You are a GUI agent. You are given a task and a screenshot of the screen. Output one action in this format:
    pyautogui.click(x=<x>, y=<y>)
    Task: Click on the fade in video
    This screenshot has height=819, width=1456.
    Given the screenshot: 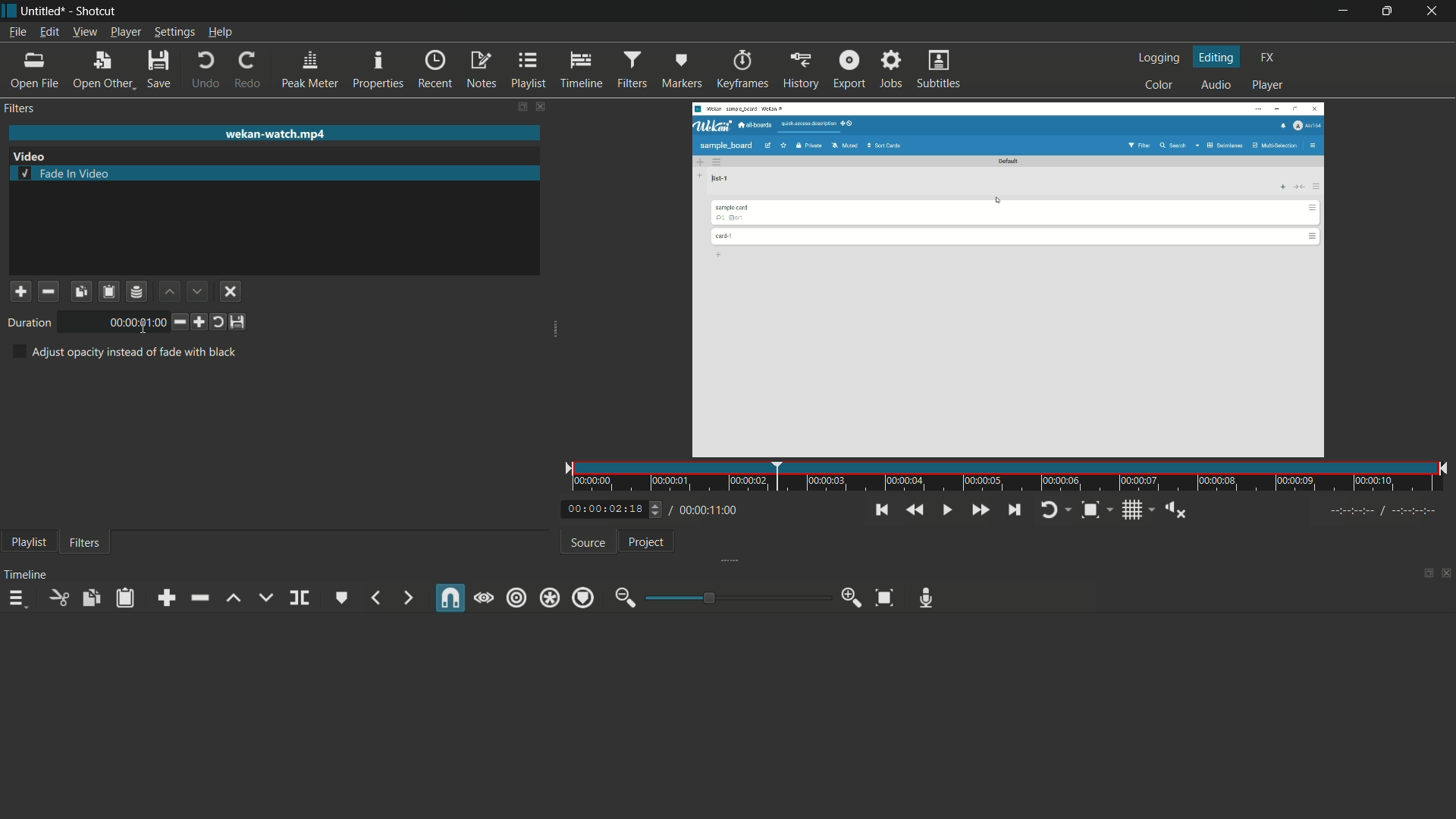 What is the action you would take?
    pyautogui.click(x=66, y=173)
    